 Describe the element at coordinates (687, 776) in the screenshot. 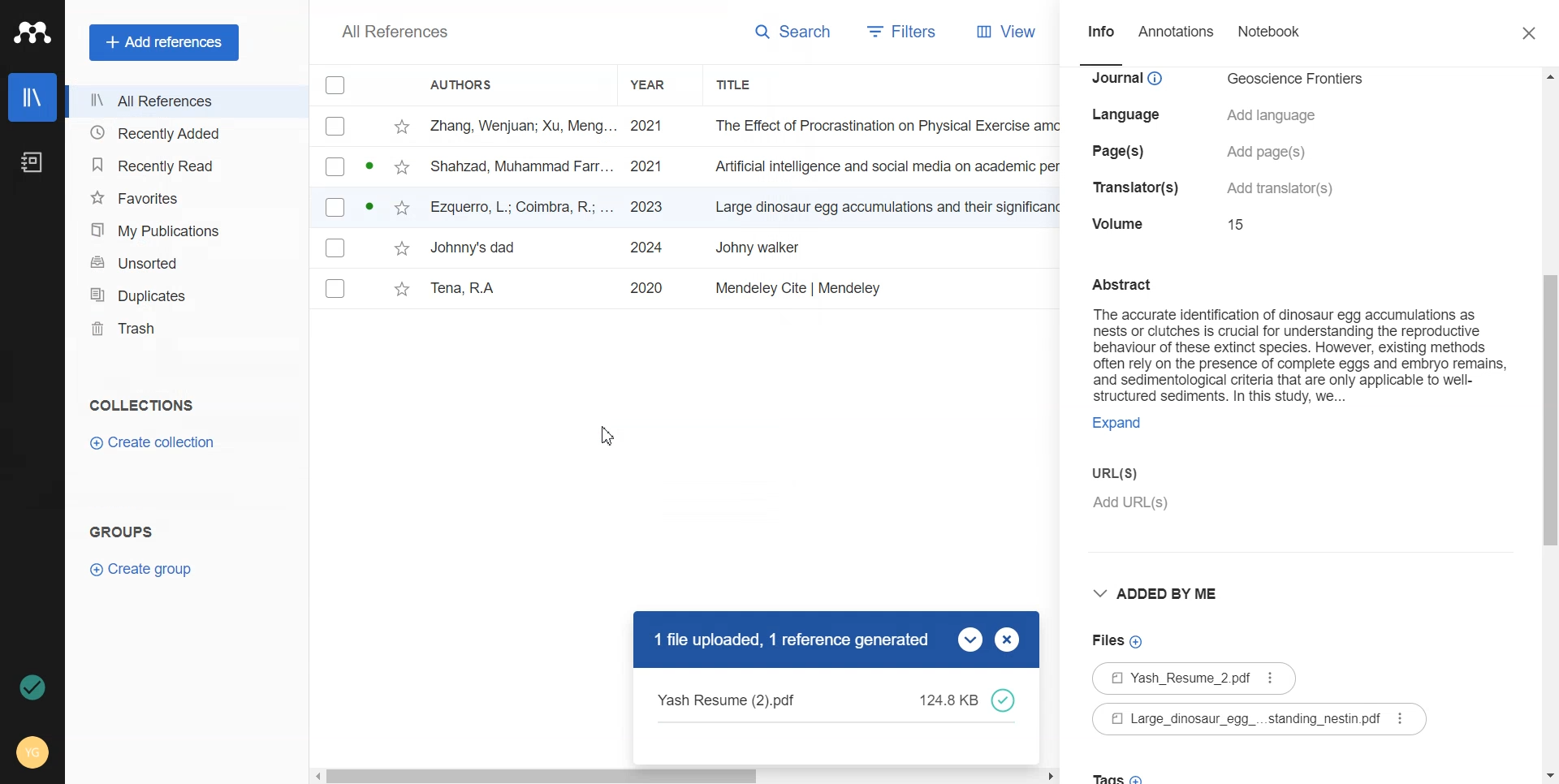

I see `Horizontal scroll bar` at that location.